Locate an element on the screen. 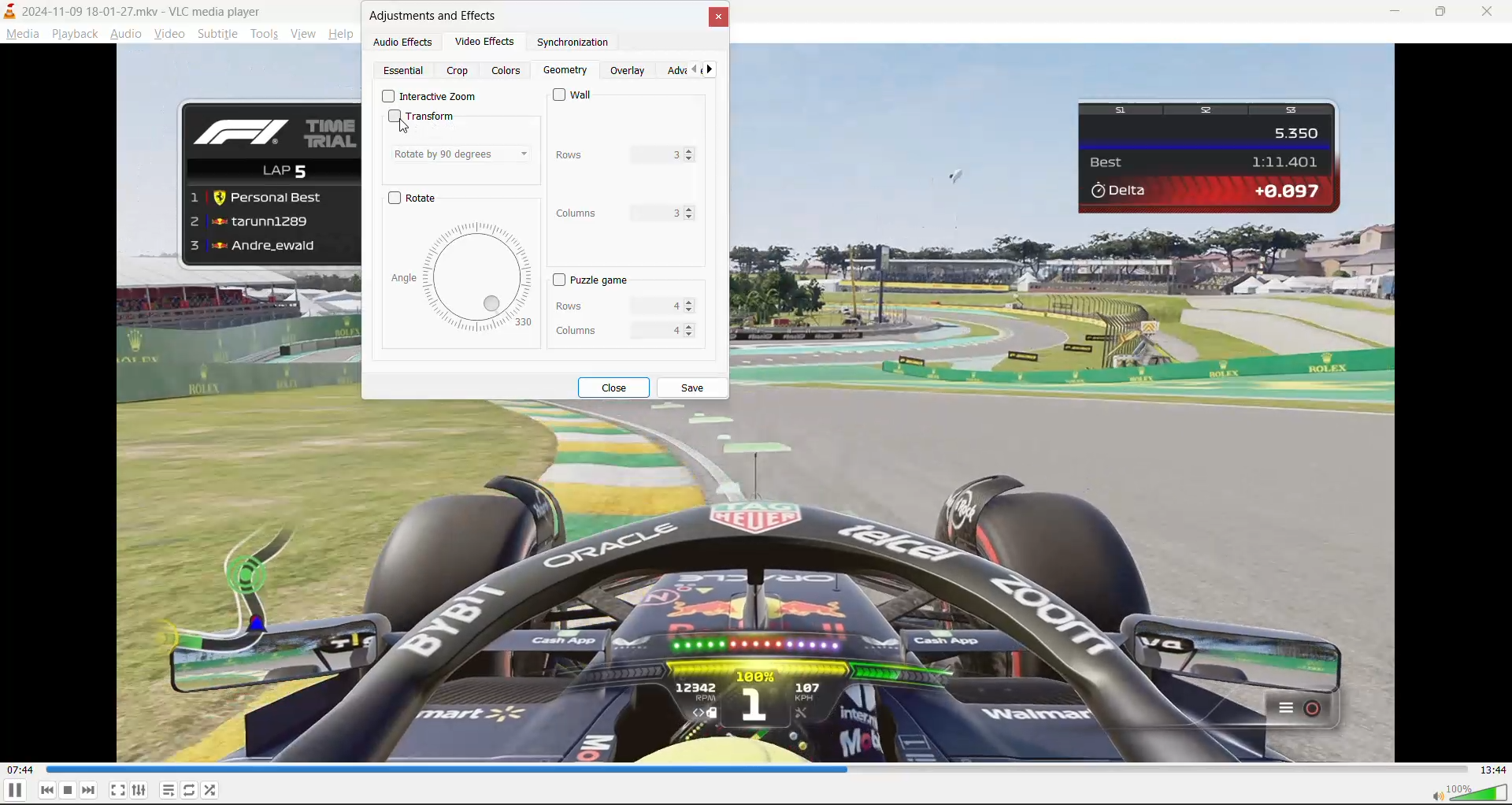 The height and width of the screenshot is (805, 1512). audio is located at coordinates (127, 33).